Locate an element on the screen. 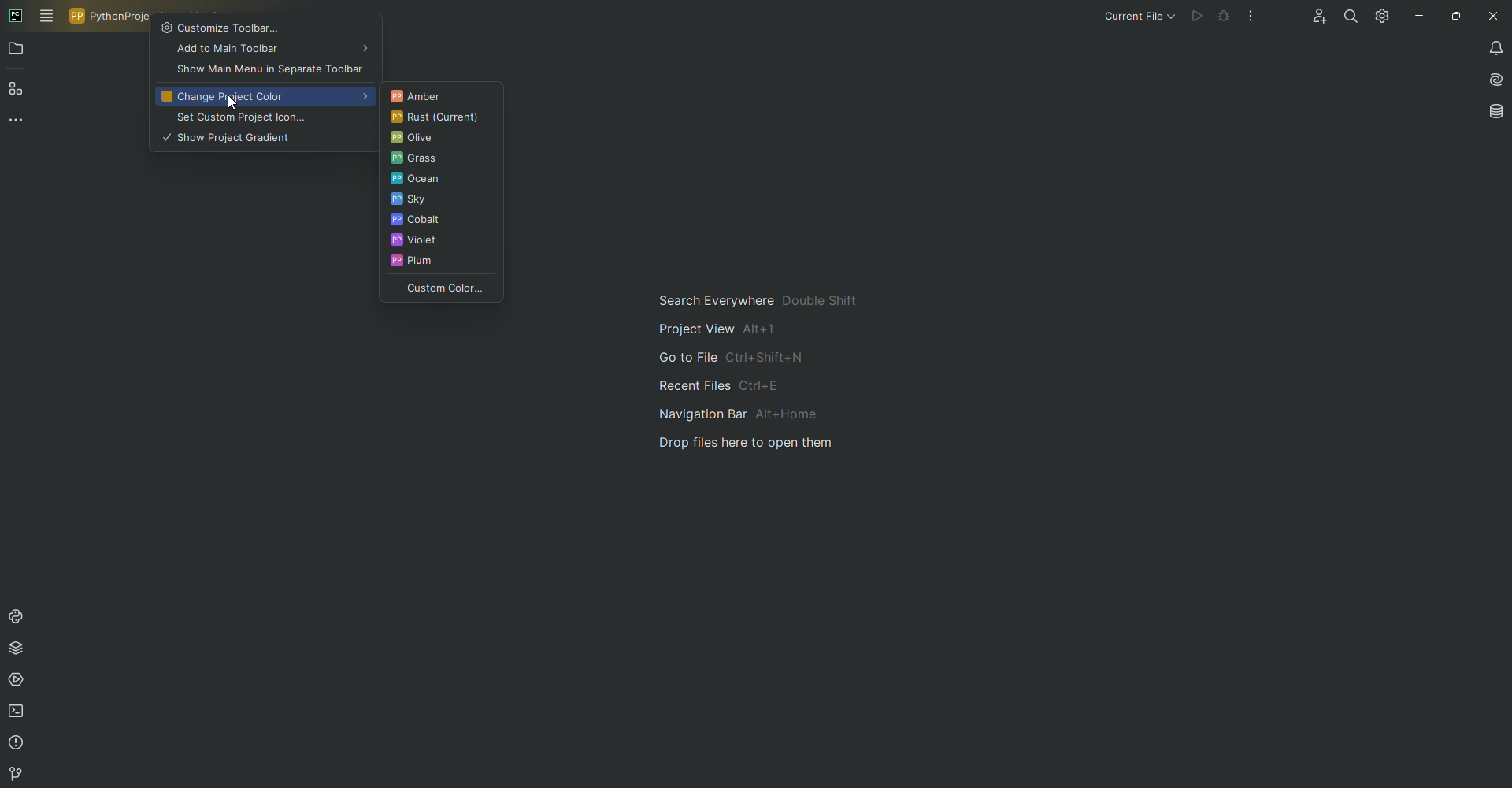 Image resolution: width=1512 pixels, height=788 pixels. Code With Me is located at coordinates (1314, 18).